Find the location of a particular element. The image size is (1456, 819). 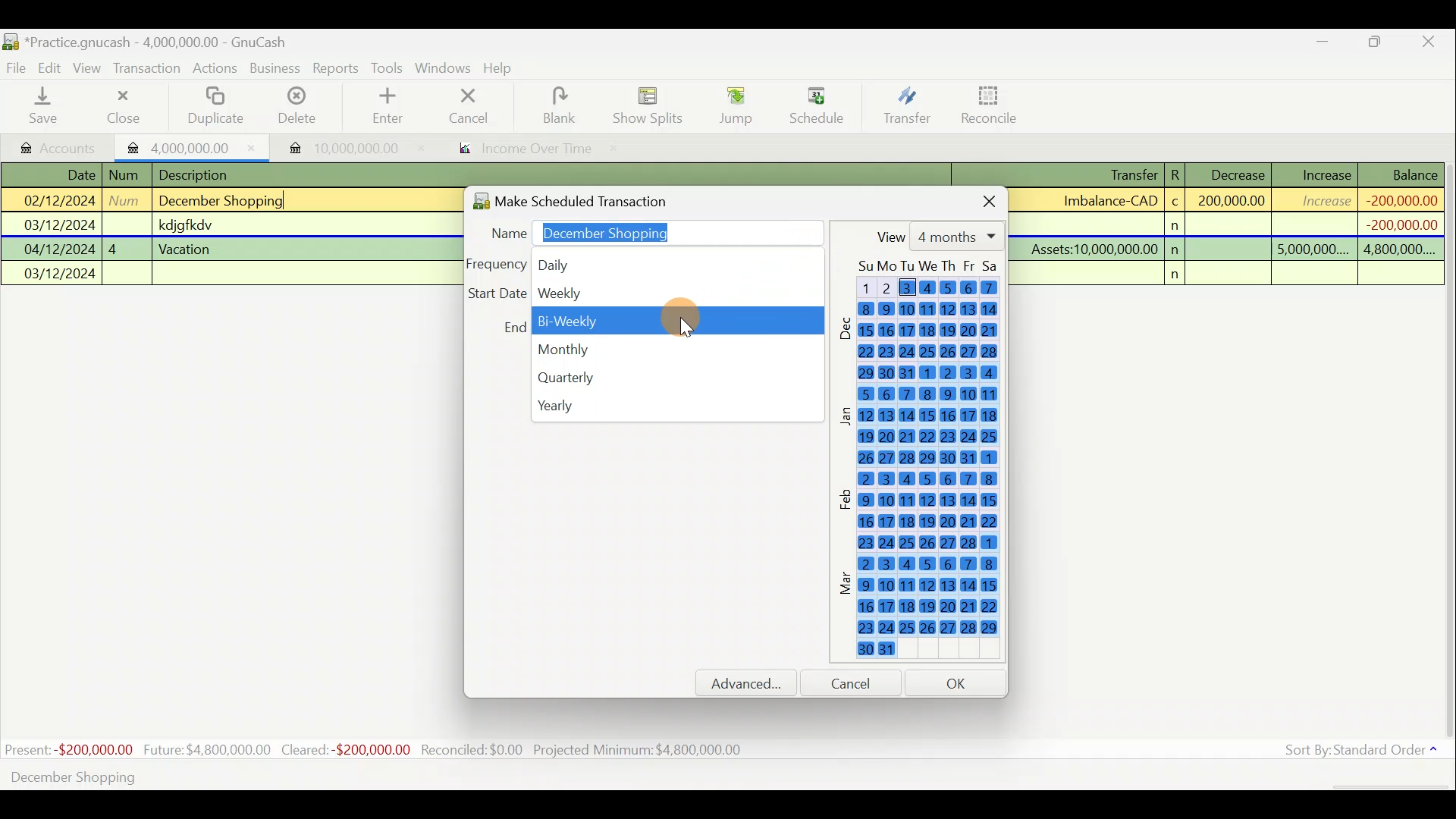

Accounts is located at coordinates (60, 146).